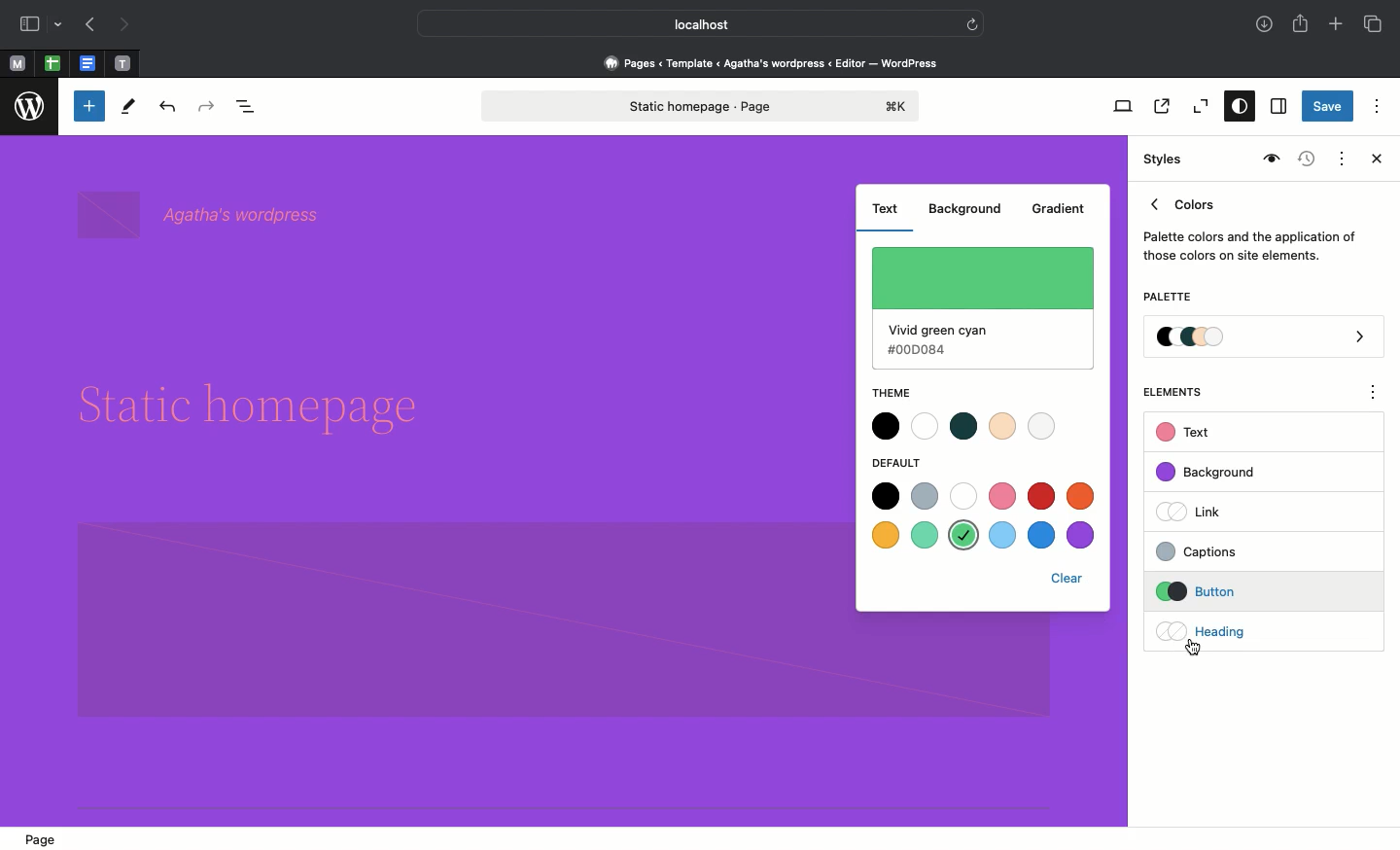 Image resolution: width=1400 pixels, height=850 pixels. Describe the element at coordinates (89, 106) in the screenshot. I see `Toggle blocker` at that location.